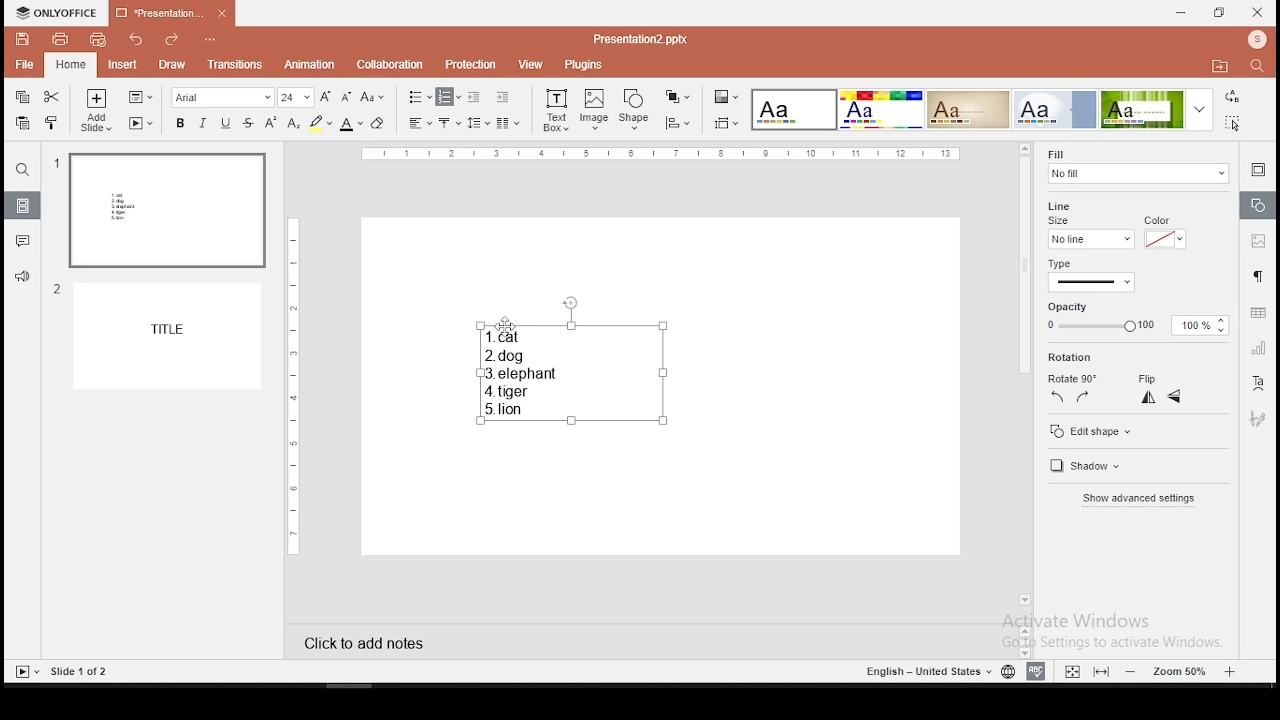 This screenshot has width=1280, height=720. Describe the element at coordinates (390, 65) in the screenshot. I see `collaboration` at that location.